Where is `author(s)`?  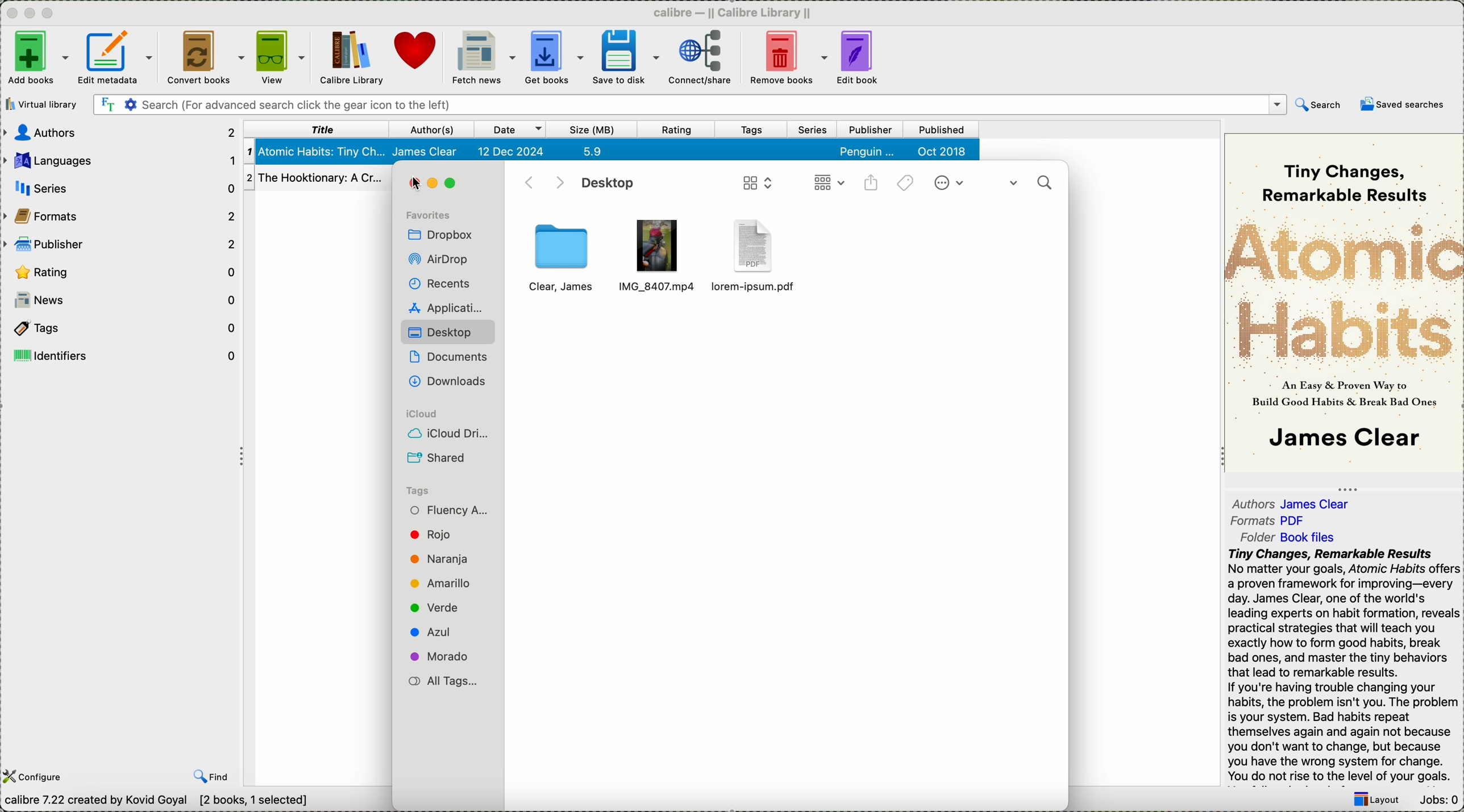
author(s) is located at coordinates (432, 129).